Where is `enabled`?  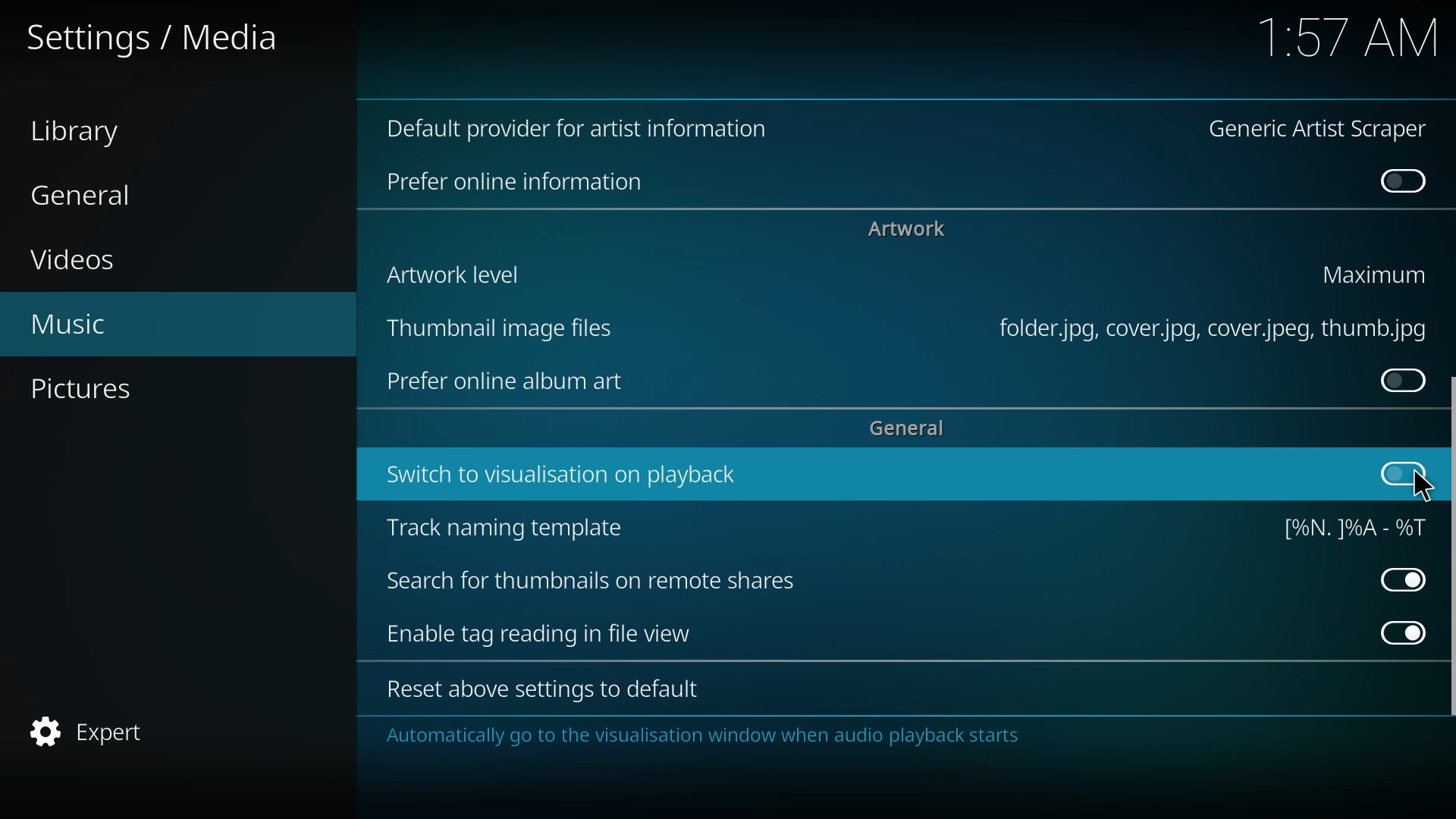
enabled is located at coordinates (1401, 579).